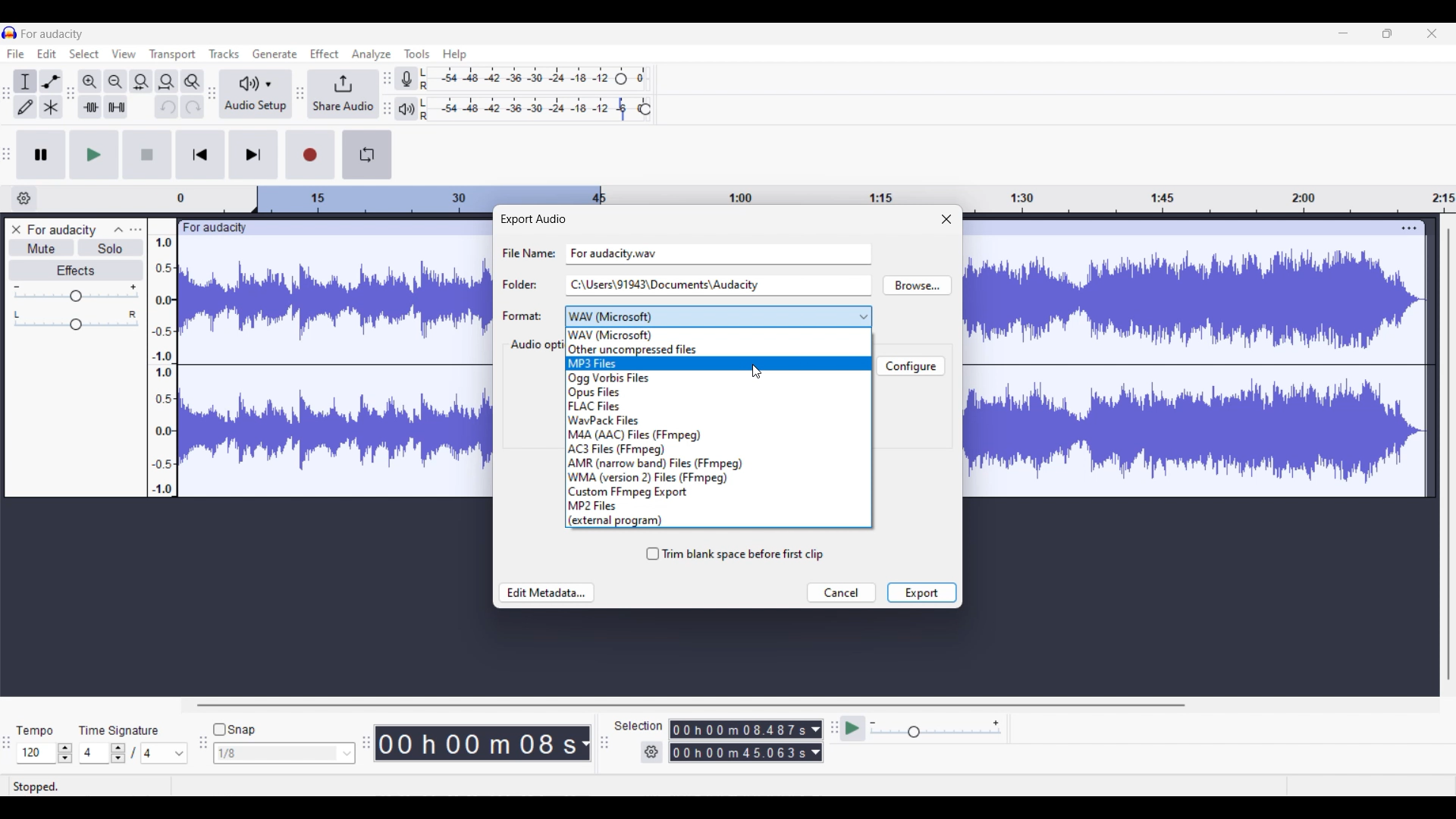  I want to click on Track settings, so click(1409, 227).